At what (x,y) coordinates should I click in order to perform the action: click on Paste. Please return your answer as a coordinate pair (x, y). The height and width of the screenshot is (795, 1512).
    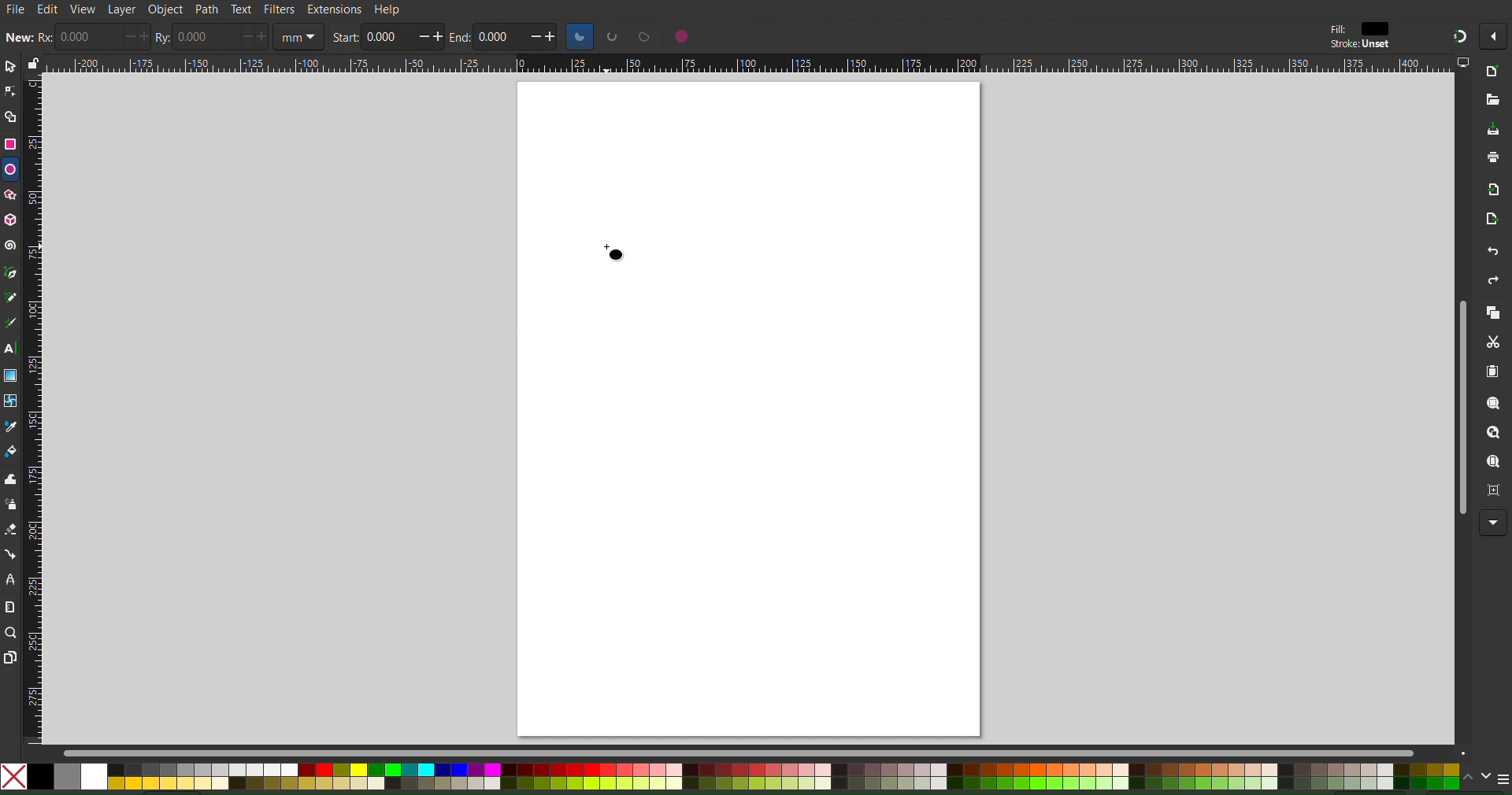
    Looking at the image, I should click on (1494, 372).